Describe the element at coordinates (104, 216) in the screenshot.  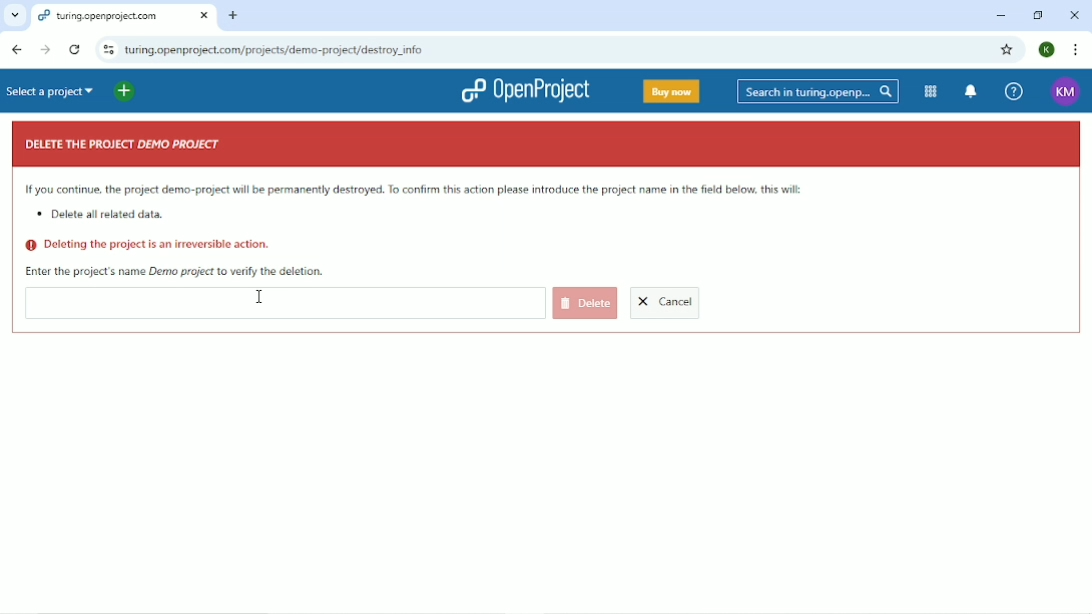
I see `Delete all related data` at that location.